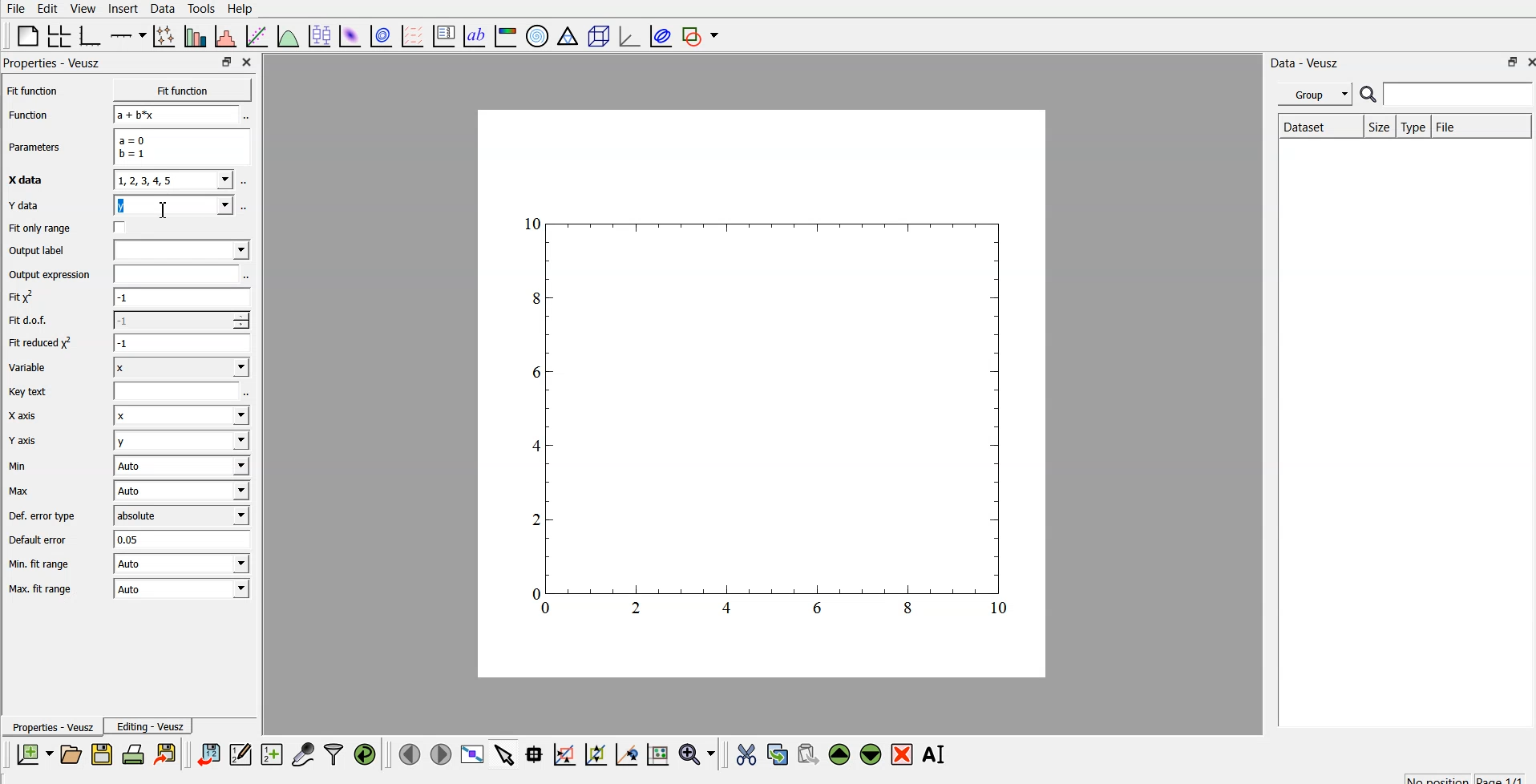 The image size is (1536, 784). What do you see at coordinates (182, 249) in the screenshot?
I see `input label` at bounding box center [182, 249].